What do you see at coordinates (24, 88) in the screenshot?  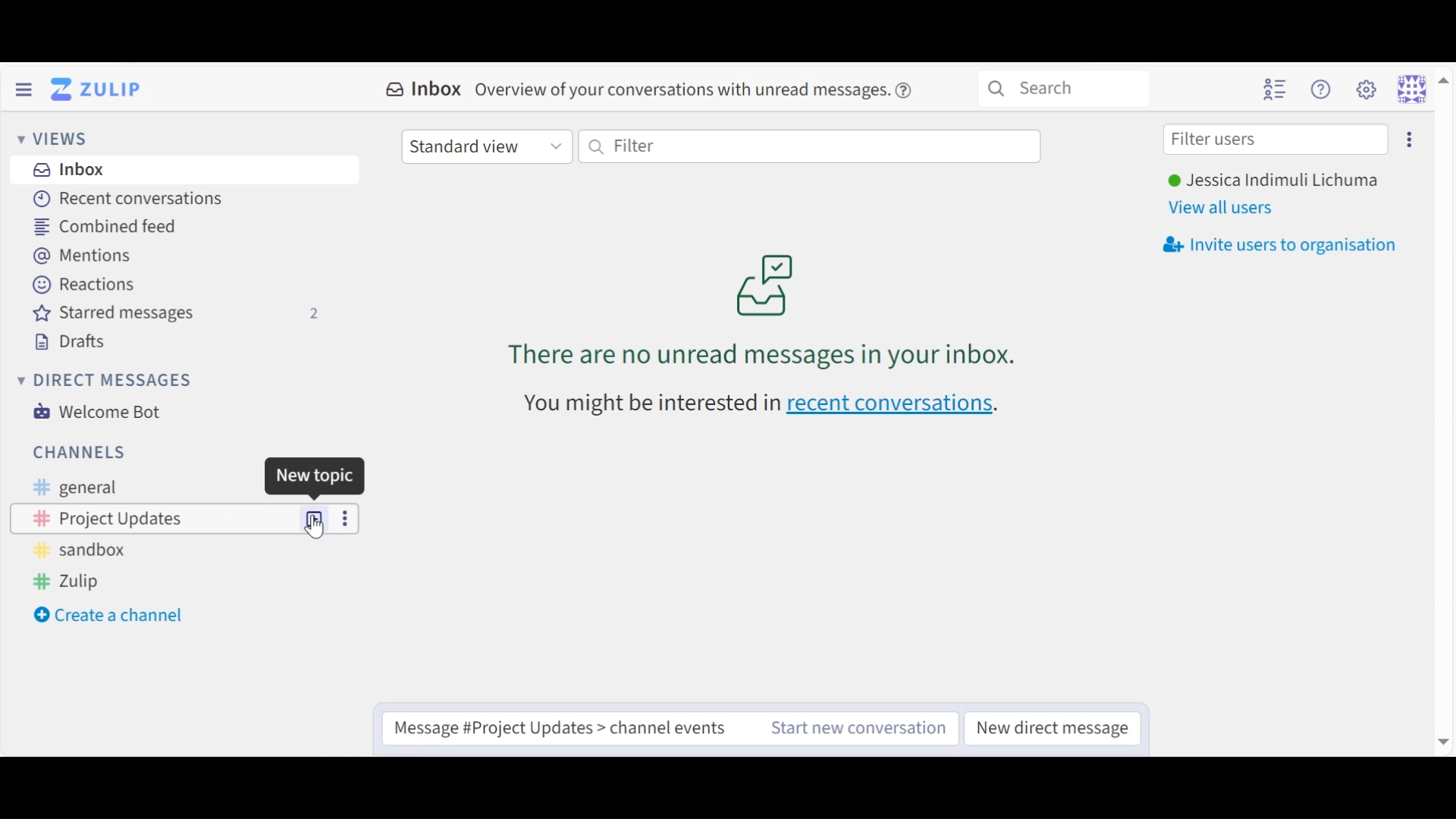 I see `Hide Sidebar` at bounding box center [24, 88].